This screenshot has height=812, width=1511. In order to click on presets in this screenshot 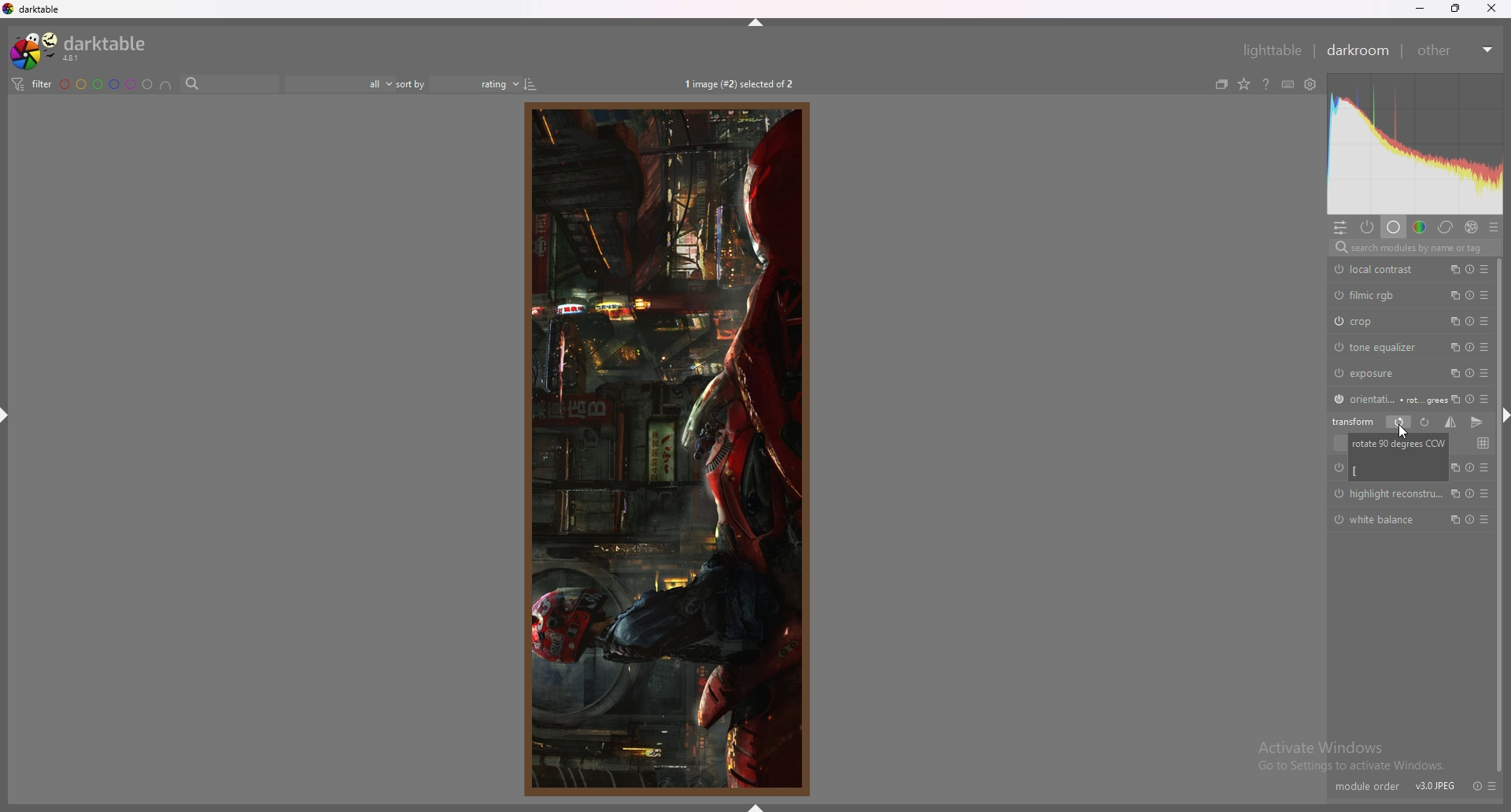, I will do `click(1487, 519)`.